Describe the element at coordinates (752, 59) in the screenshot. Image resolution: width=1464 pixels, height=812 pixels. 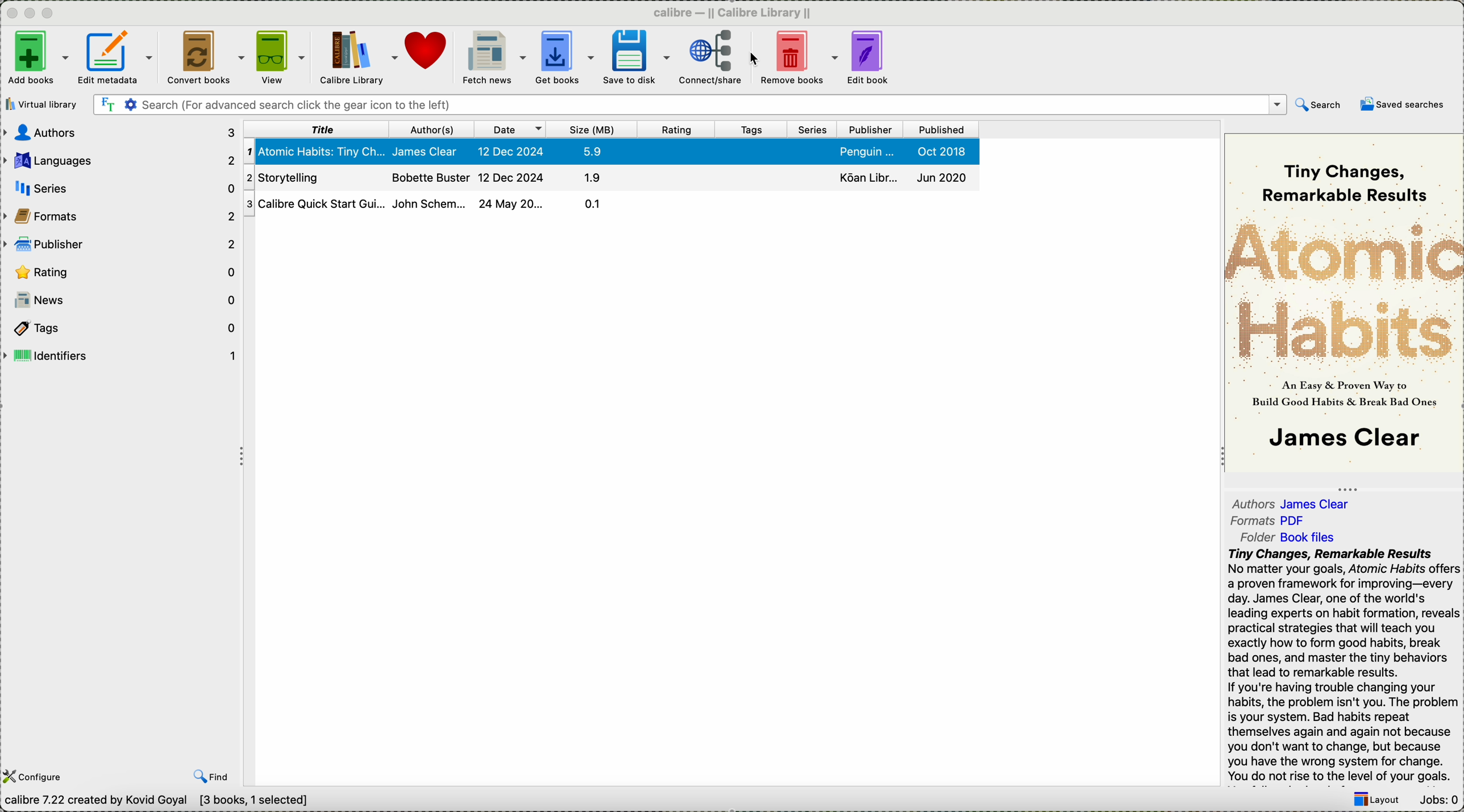
I see `mouse` at that location.